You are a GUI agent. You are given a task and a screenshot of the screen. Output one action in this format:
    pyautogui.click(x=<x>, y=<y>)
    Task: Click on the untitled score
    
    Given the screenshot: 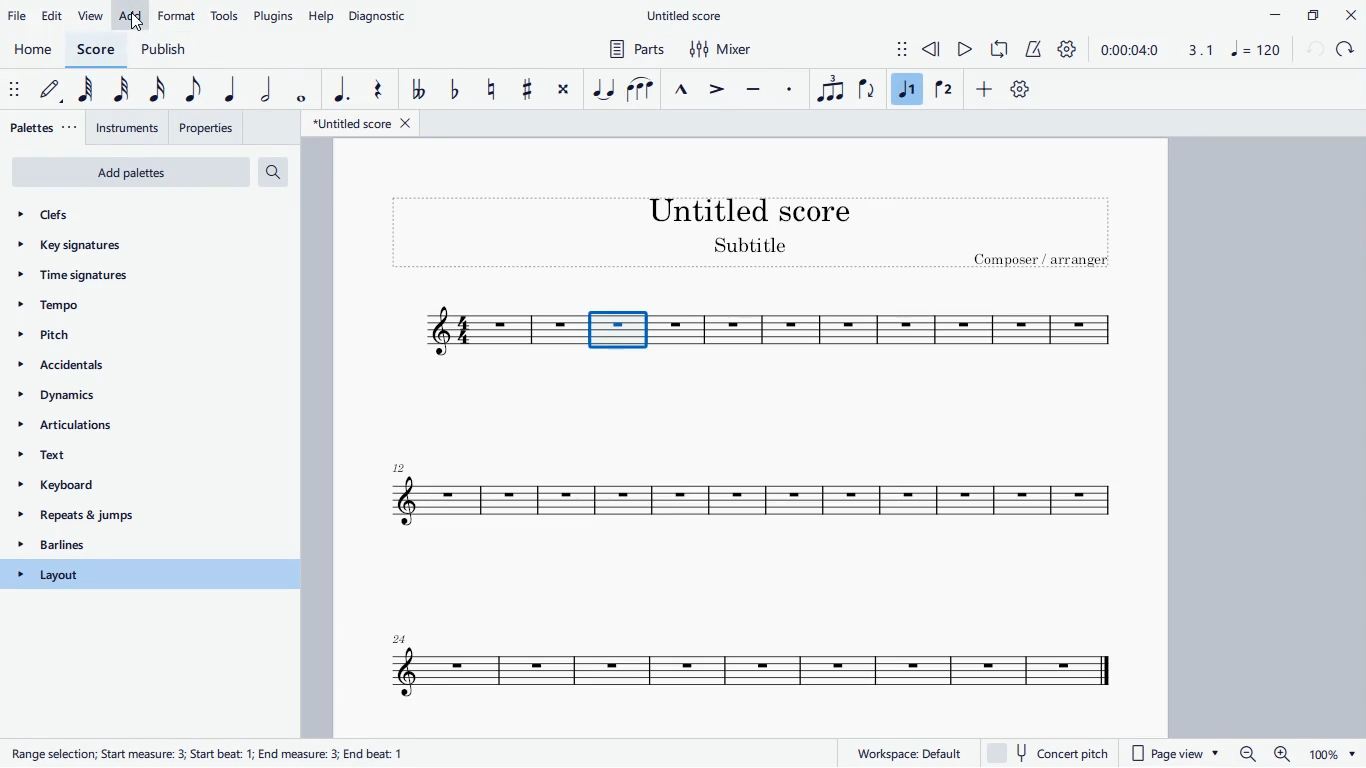 What is the action you would take?
    pyautogui.click(x=687, y=16)
    